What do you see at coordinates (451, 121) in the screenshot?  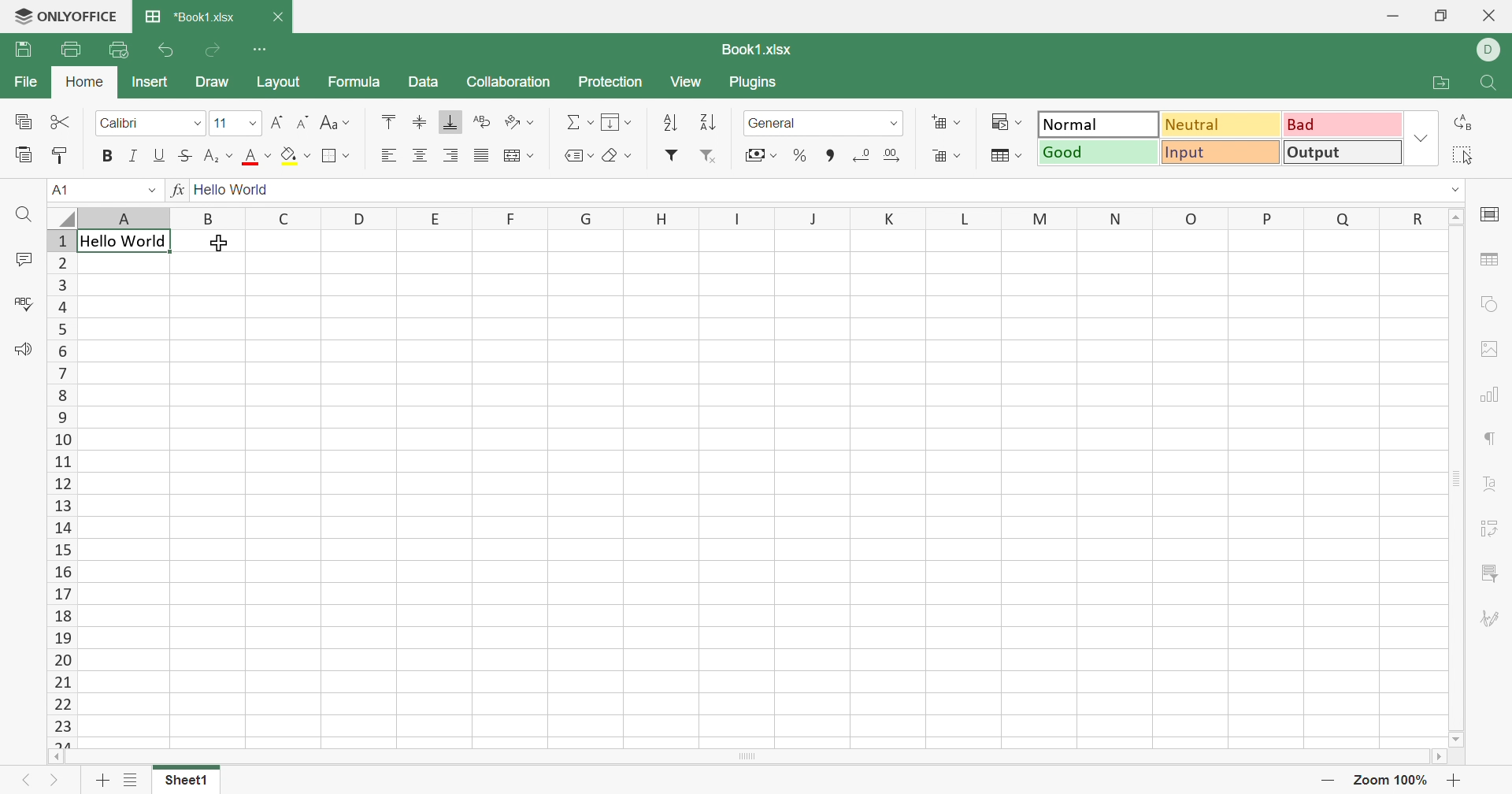 I see `Align bottom` at bounding box center [451, 121].